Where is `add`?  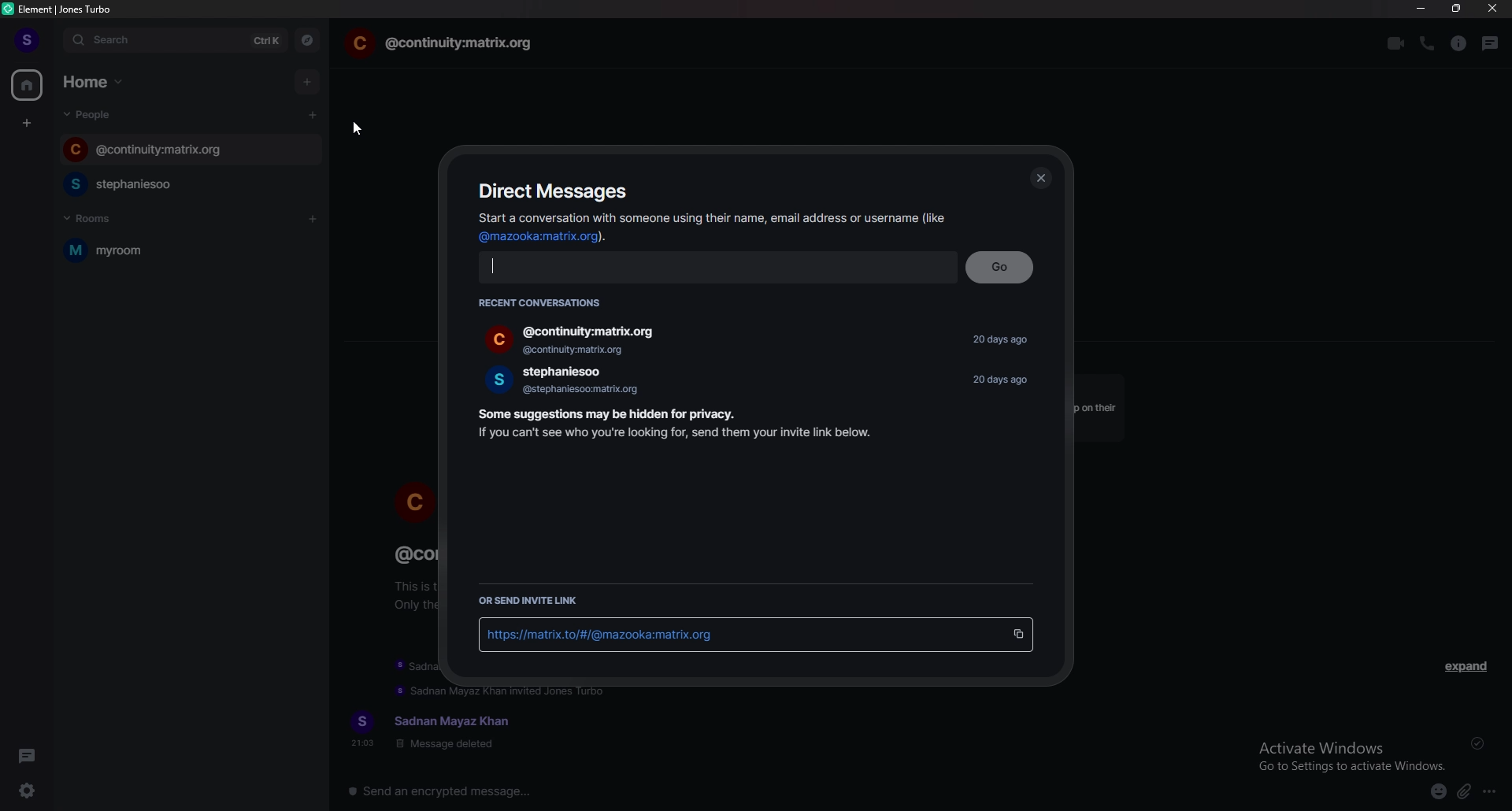
add is located at coordinates (306, 79).